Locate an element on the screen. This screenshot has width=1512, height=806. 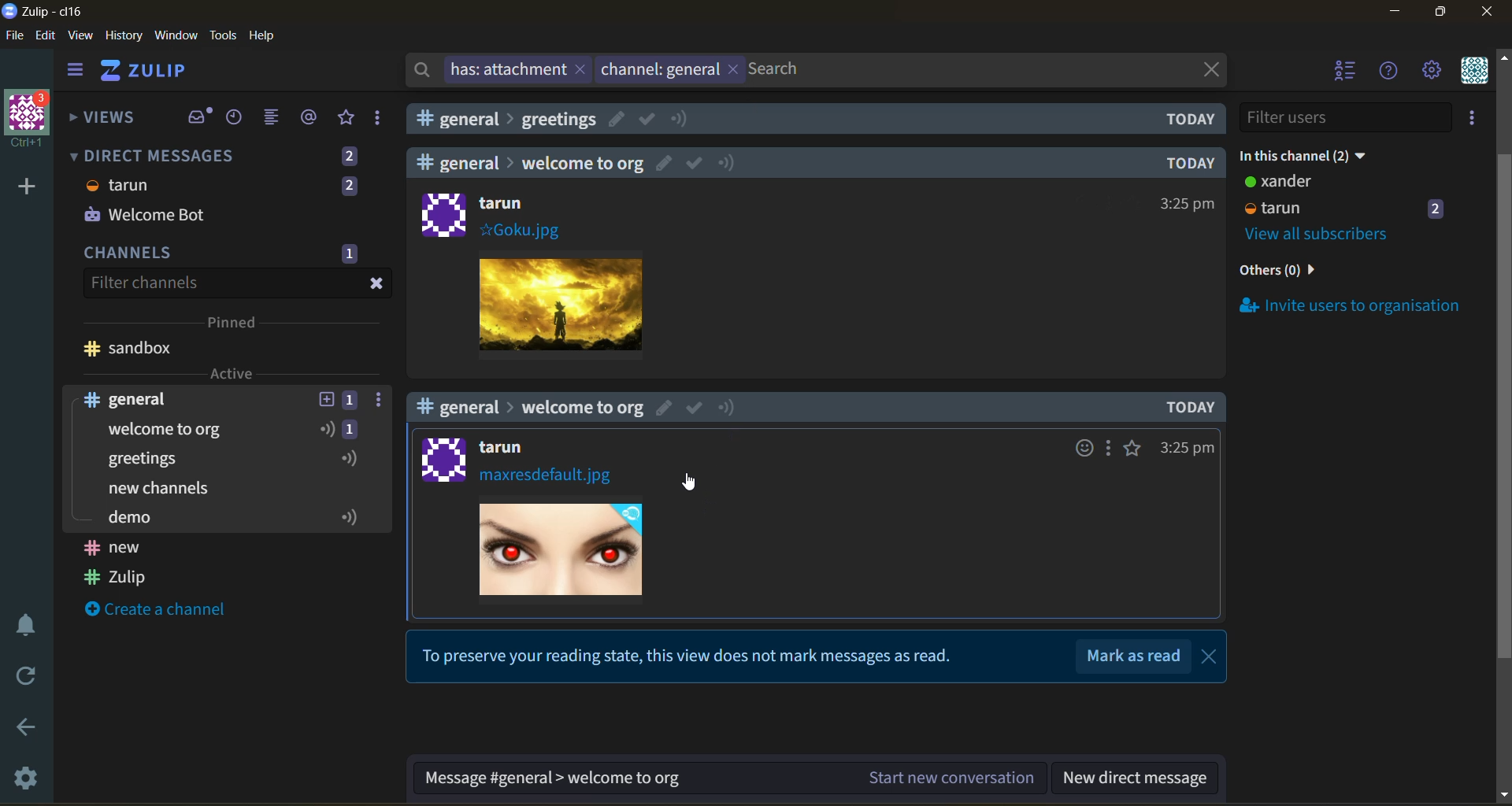
Start new conversation is located at coordinates (953, 776).